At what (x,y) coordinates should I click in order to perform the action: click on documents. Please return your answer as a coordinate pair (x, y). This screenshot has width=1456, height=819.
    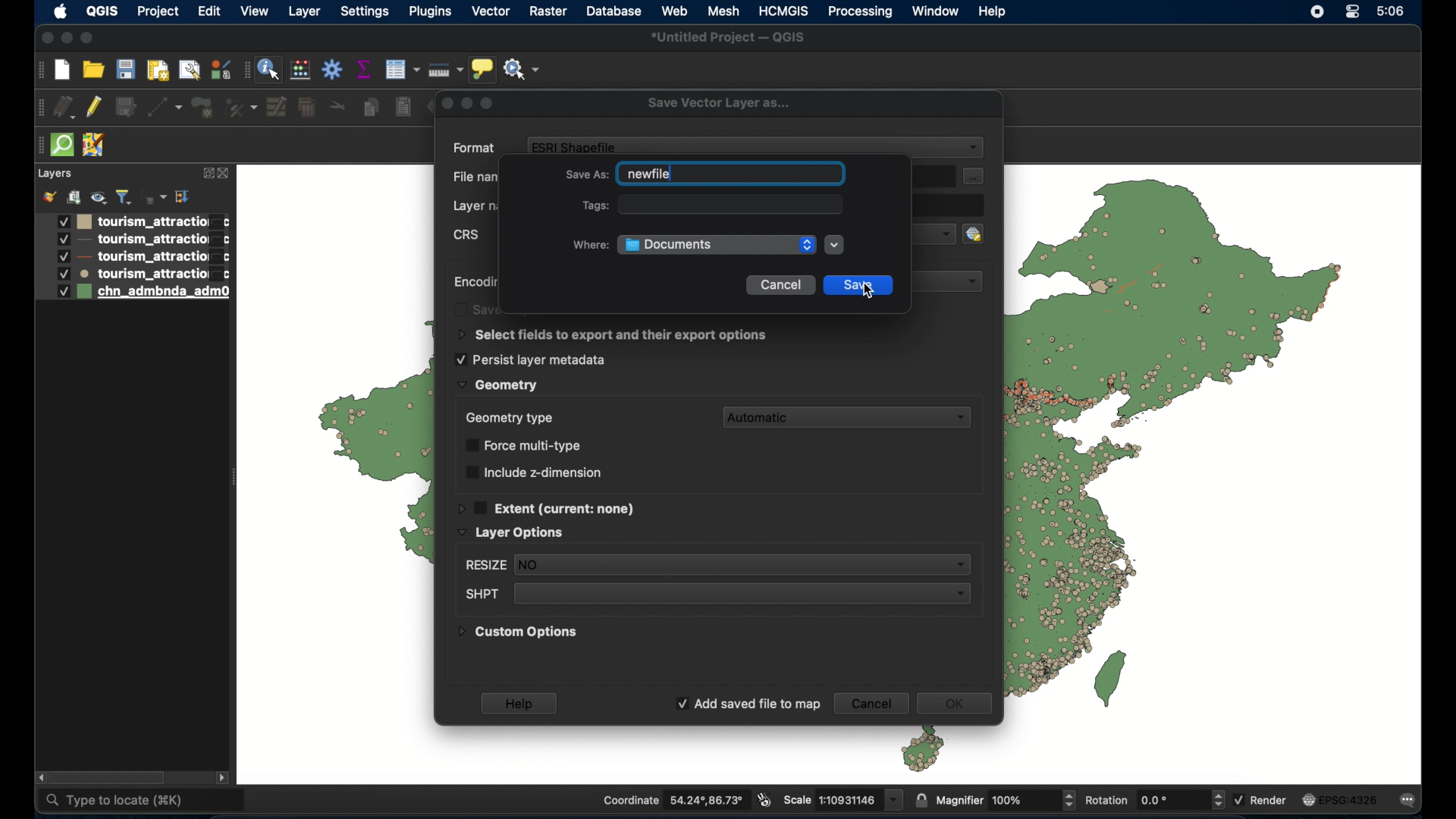
    Looking at the image, I should click on (716, 244).